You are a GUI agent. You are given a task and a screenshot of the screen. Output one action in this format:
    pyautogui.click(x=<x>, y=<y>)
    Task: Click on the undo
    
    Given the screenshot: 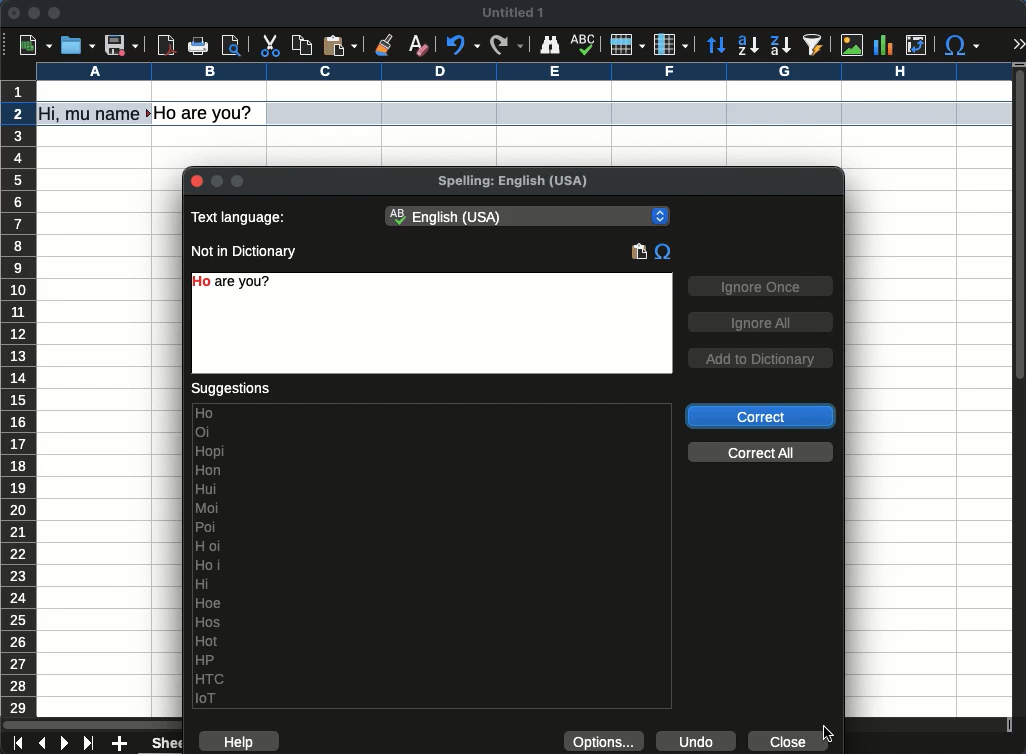 What is the action you would take?
    pyautogui.click(x=466, y=44)
    